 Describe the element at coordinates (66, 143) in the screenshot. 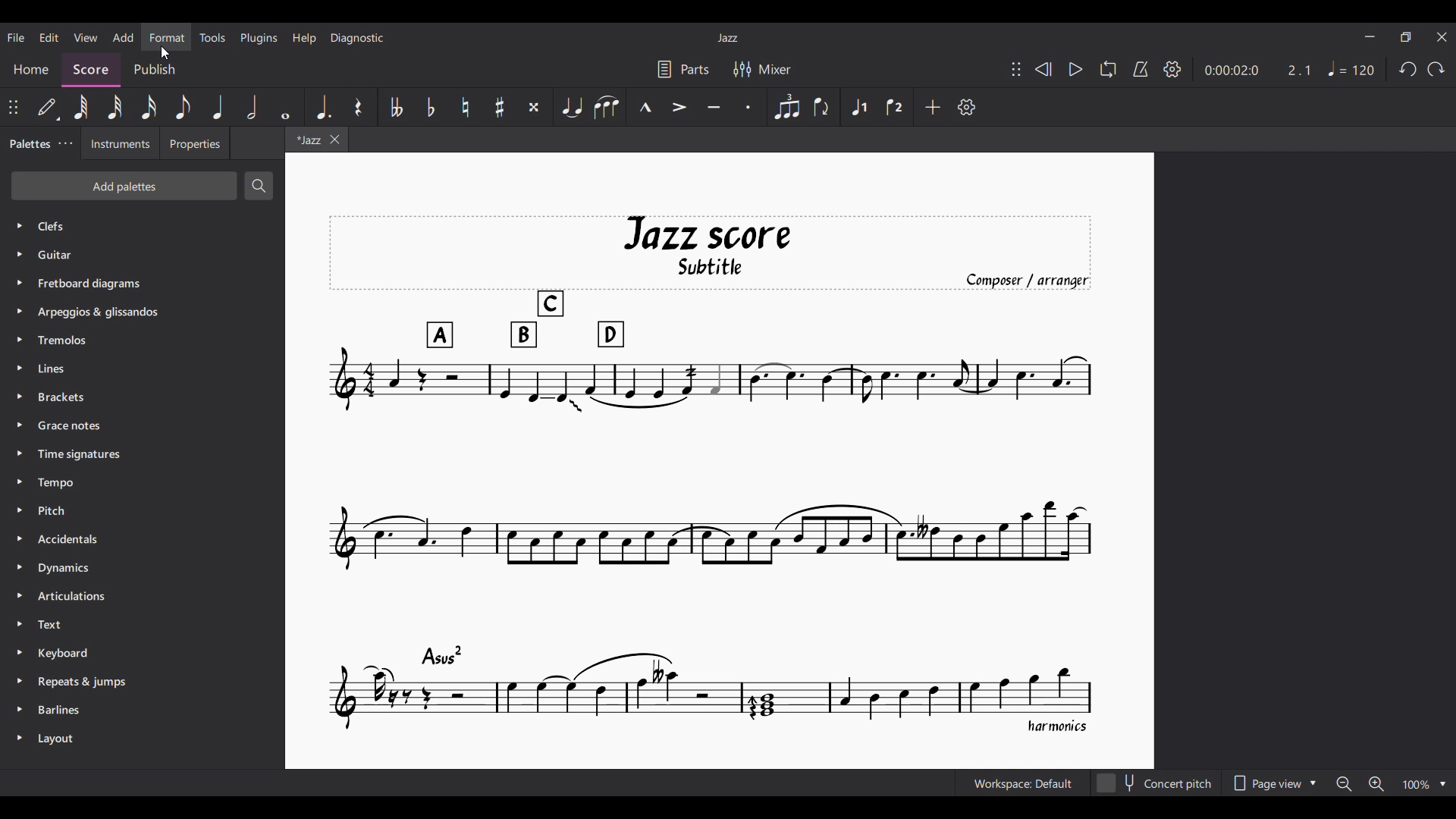

I see `Palette settings` at that location.